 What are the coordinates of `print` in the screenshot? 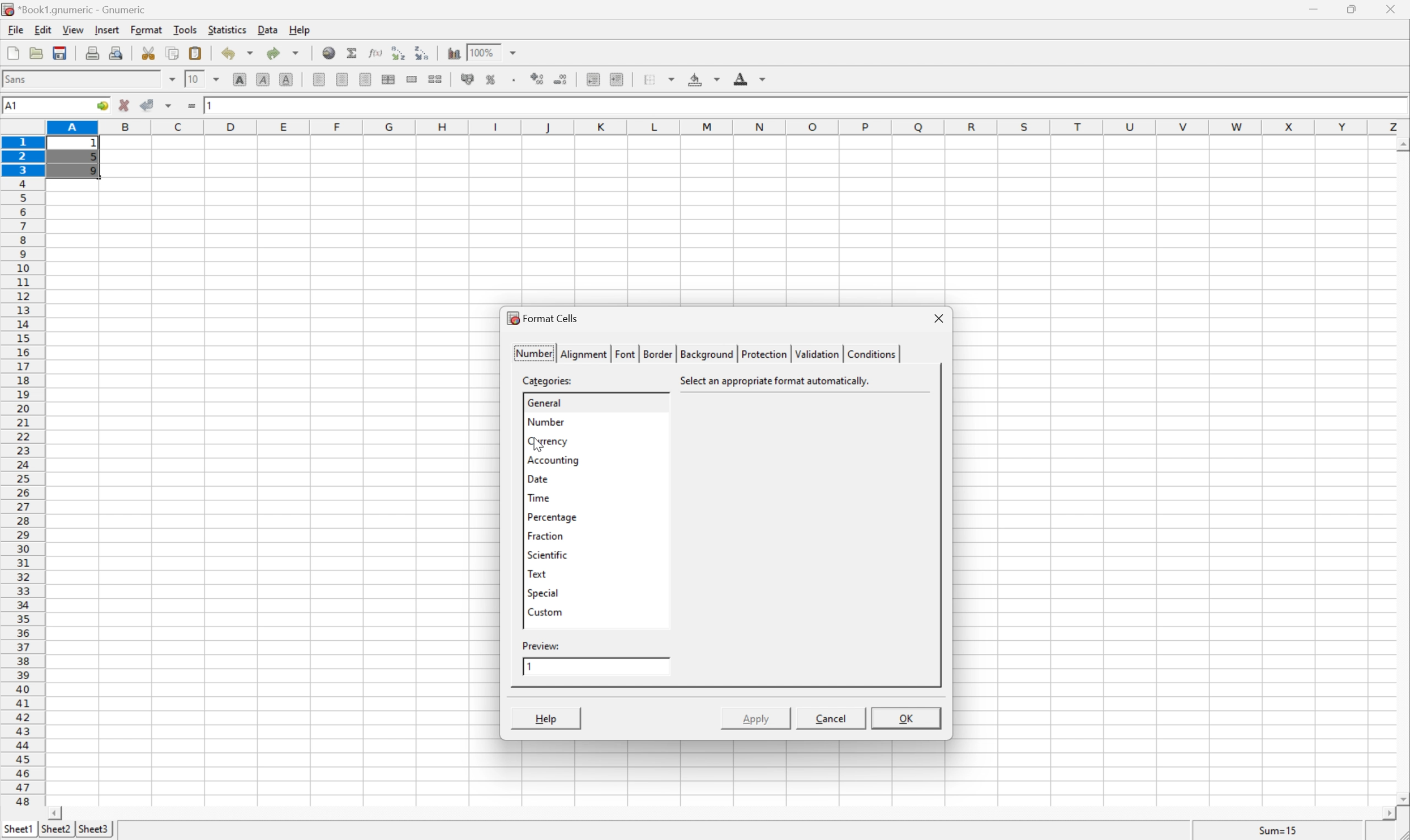 It's located at (91, 51).